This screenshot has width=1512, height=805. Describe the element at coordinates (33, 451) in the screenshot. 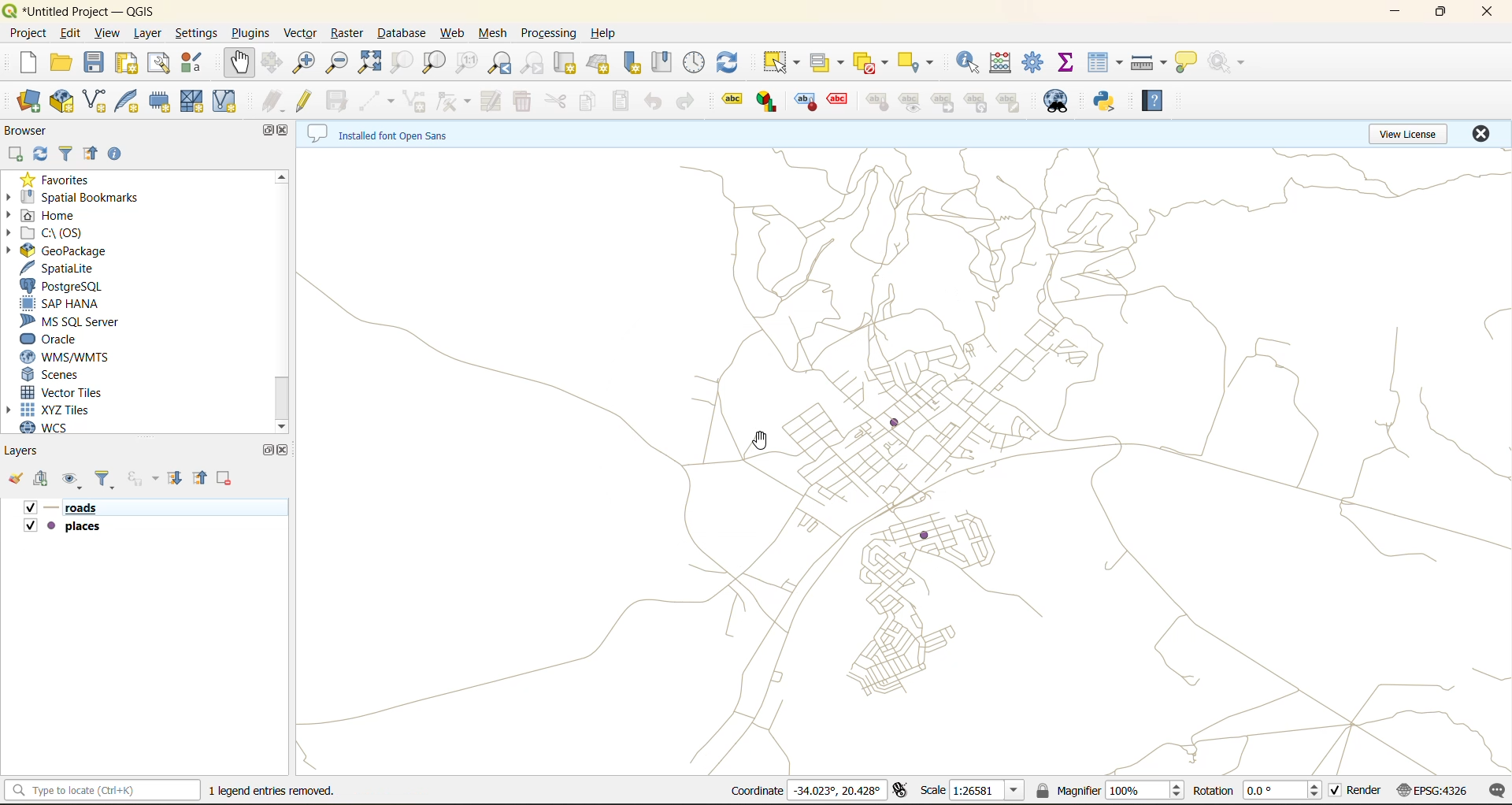

I see `layers` at that location.